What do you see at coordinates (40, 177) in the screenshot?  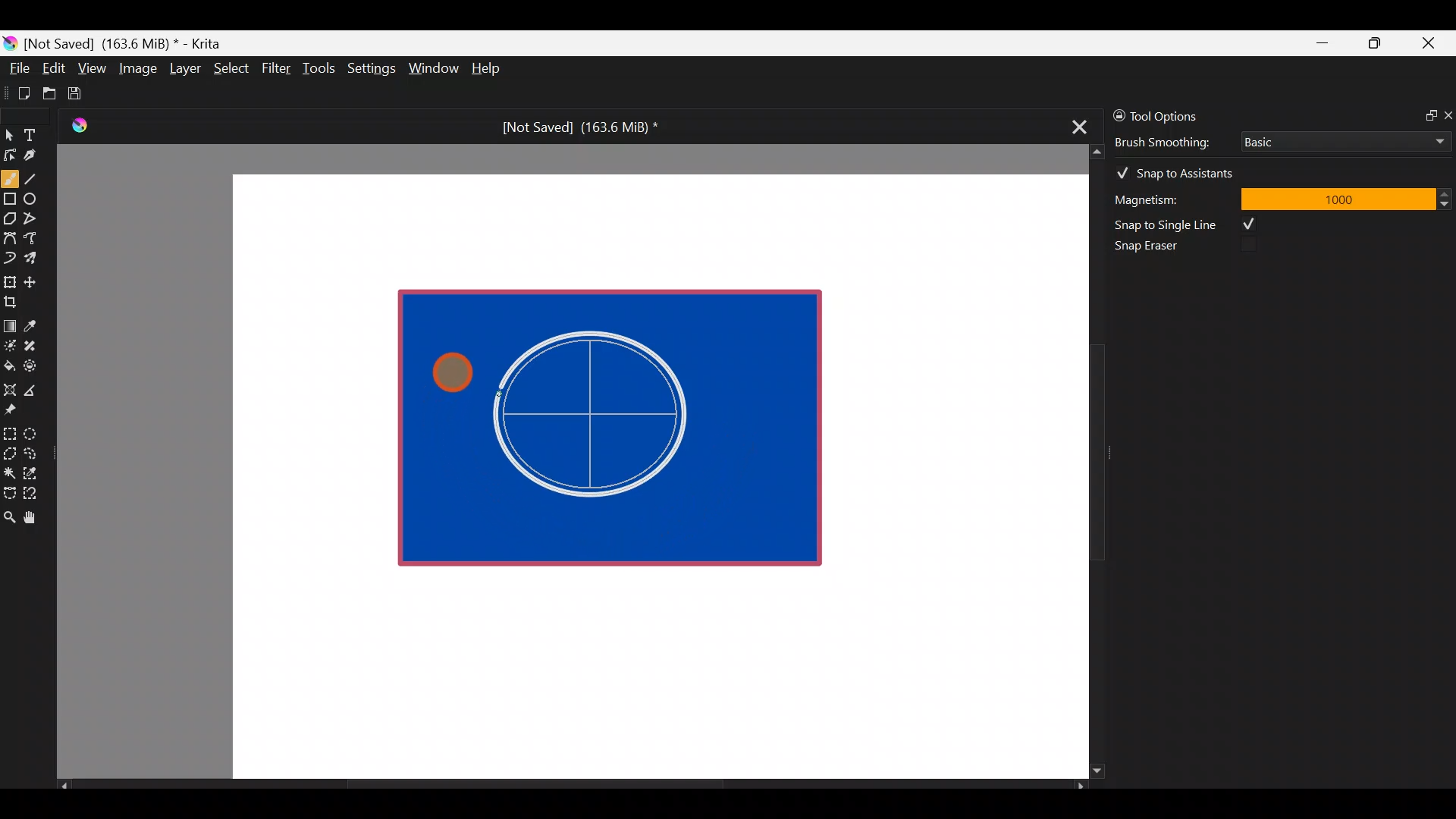 I see `Line tool` at bounding box center [40, 177].